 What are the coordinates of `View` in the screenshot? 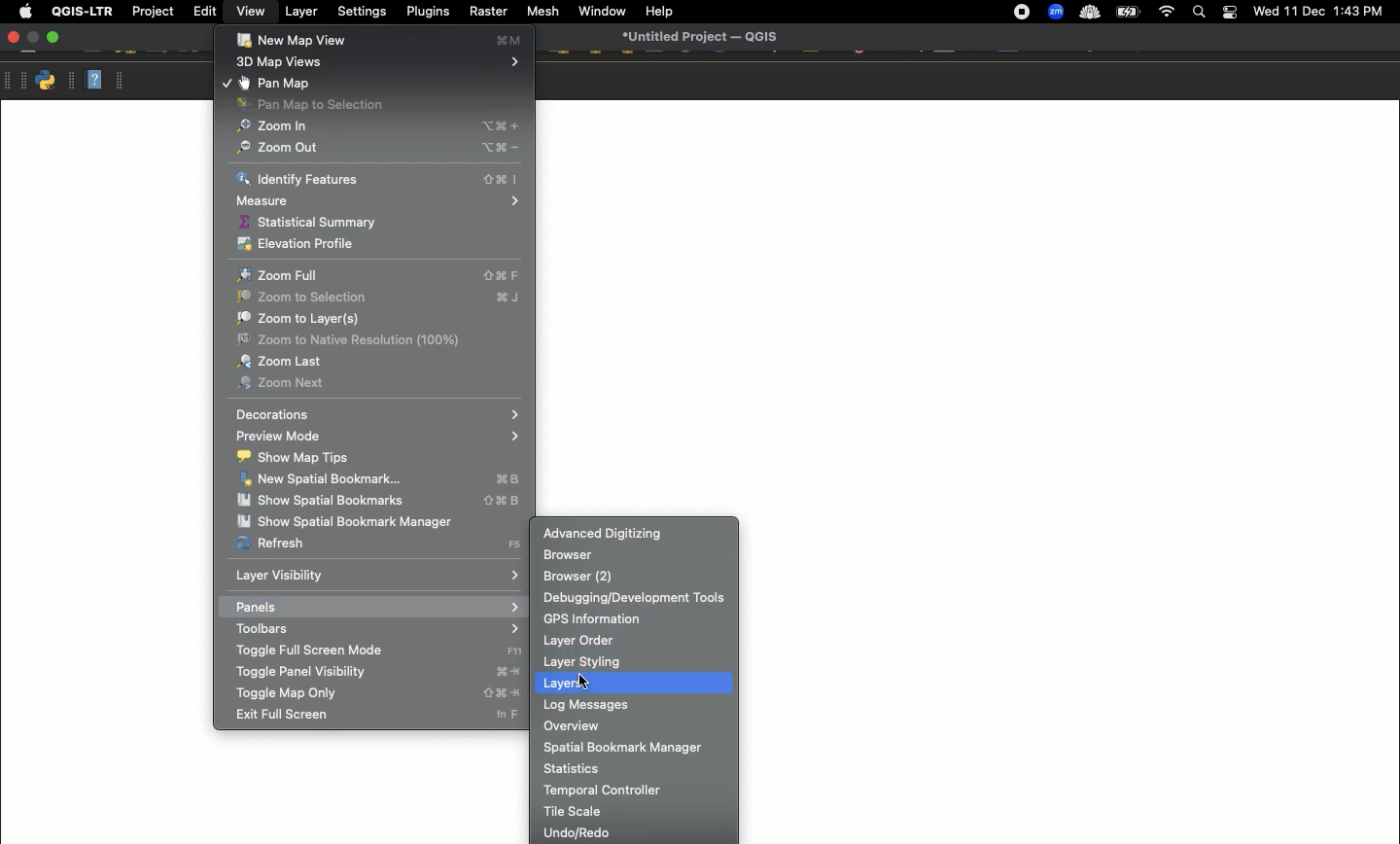 It's located at (249, 11).